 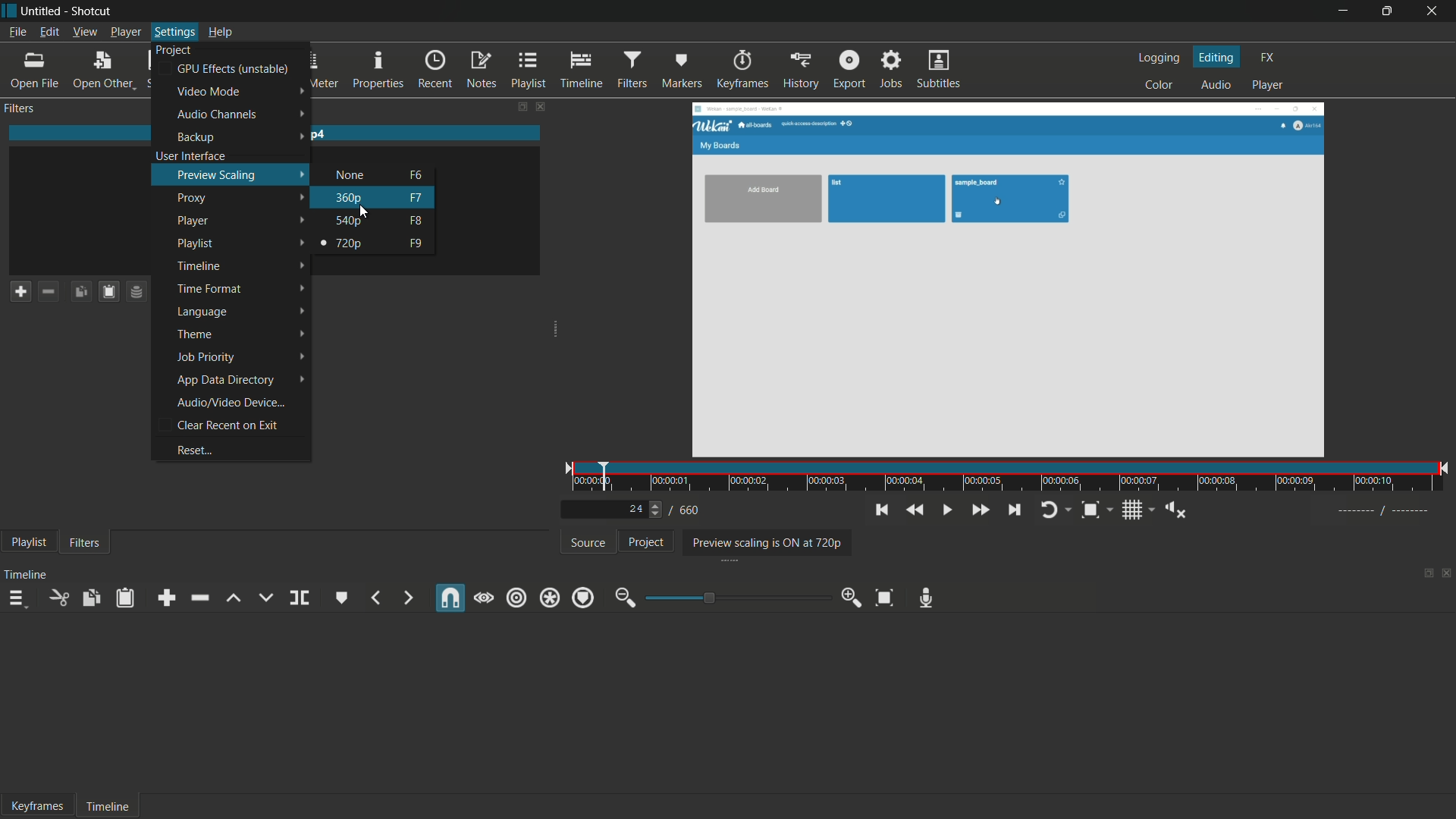 What do you see at coordinates (166, 598) in the screenshot?
I see `append` at bounding box center [166, 598].